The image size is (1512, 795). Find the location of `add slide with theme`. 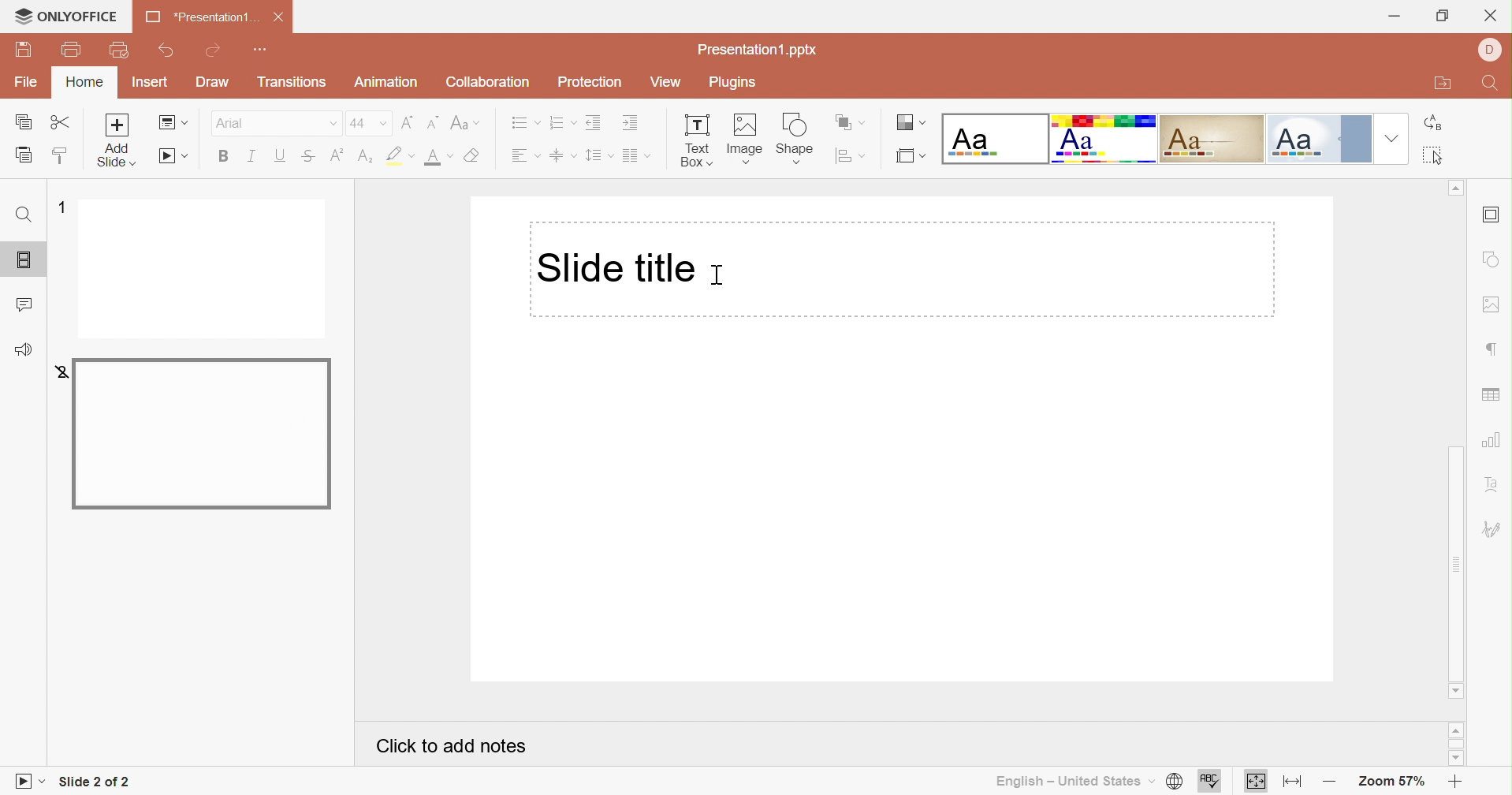

add slide with theme is located at coordinates (117, 155).